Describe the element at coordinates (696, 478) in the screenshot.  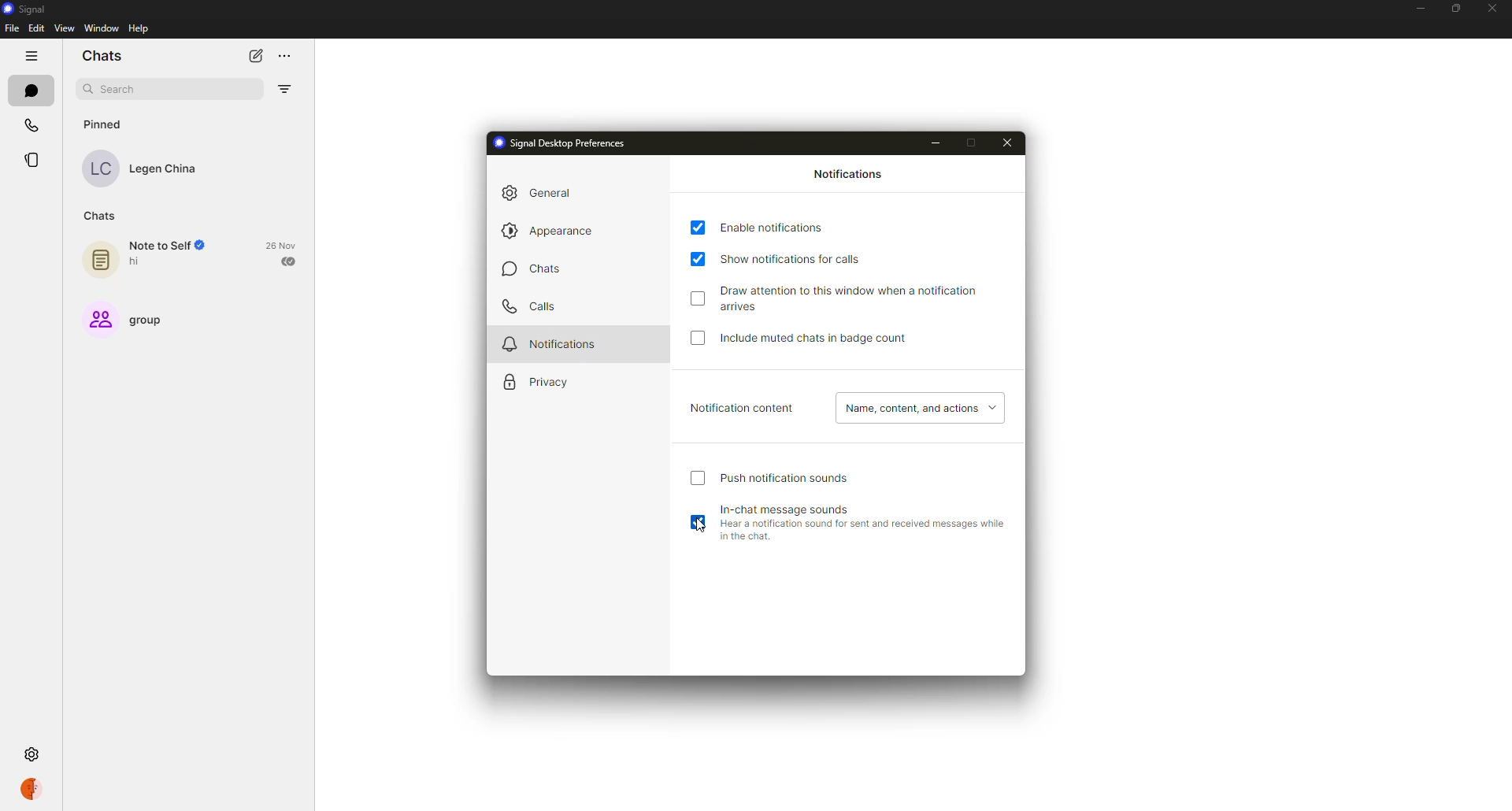
I see `click to enable` at that location.